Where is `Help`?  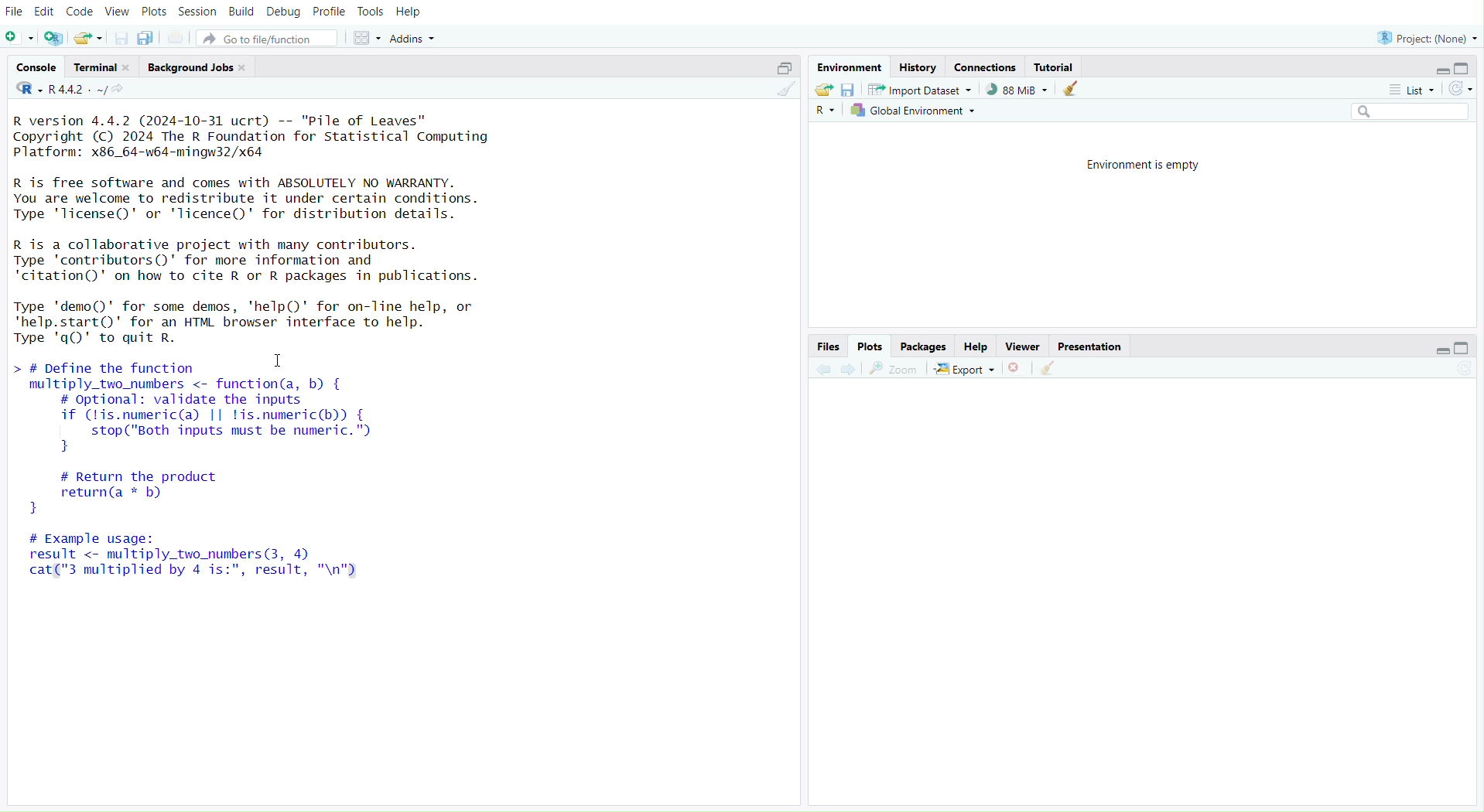
Help is located at coordinates (978, 347).